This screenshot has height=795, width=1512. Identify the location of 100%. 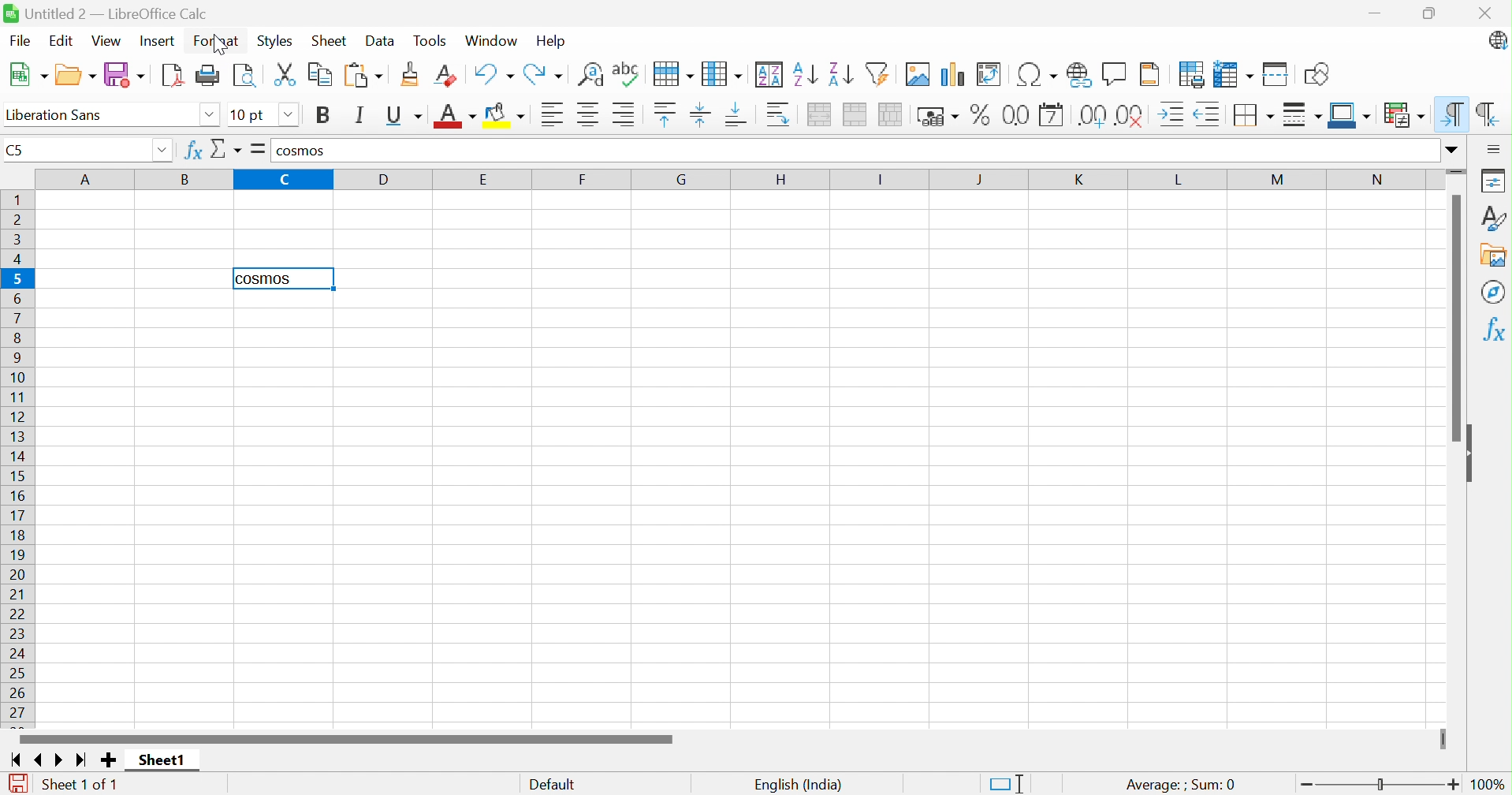
(1489, 786).